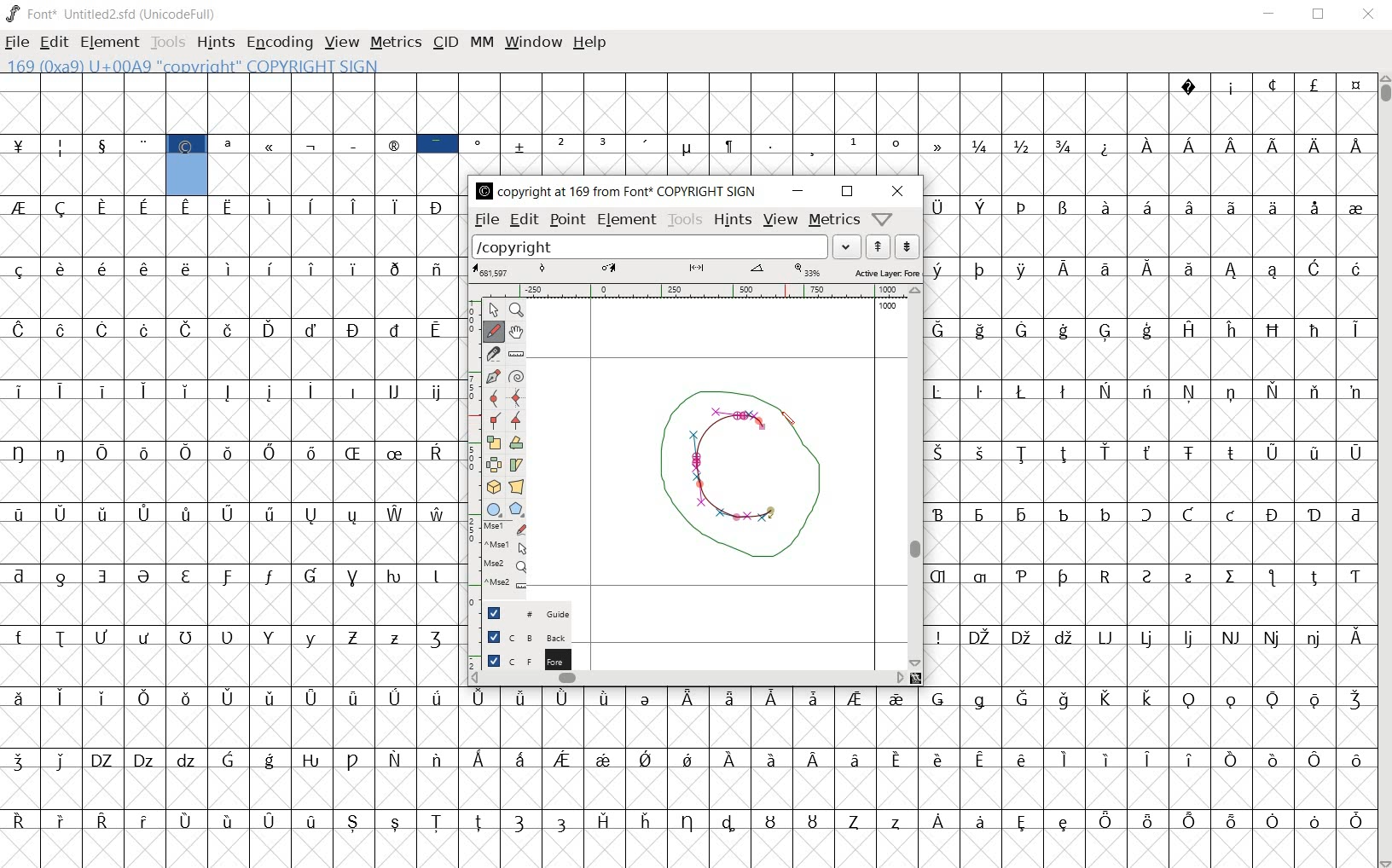 The image size is (1392, 868). What do you see at coordinates (493, 375) in the screenshot?
I see `add a point, then drag out its control points` at bounding box center [493, 375].